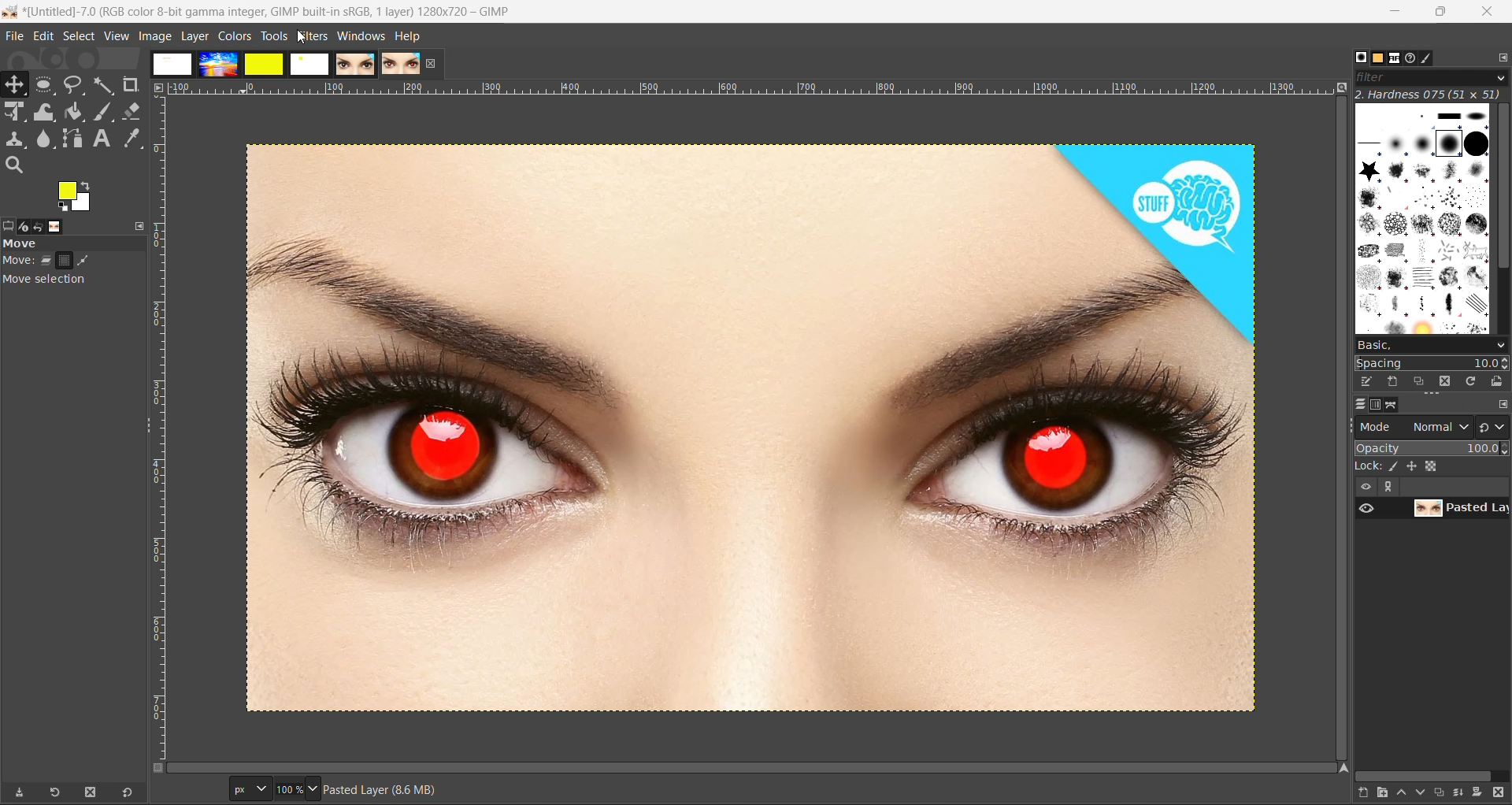  Describe the element at coordinates (105, 86) in the screenshot. I see `fuzzy text` at that location.